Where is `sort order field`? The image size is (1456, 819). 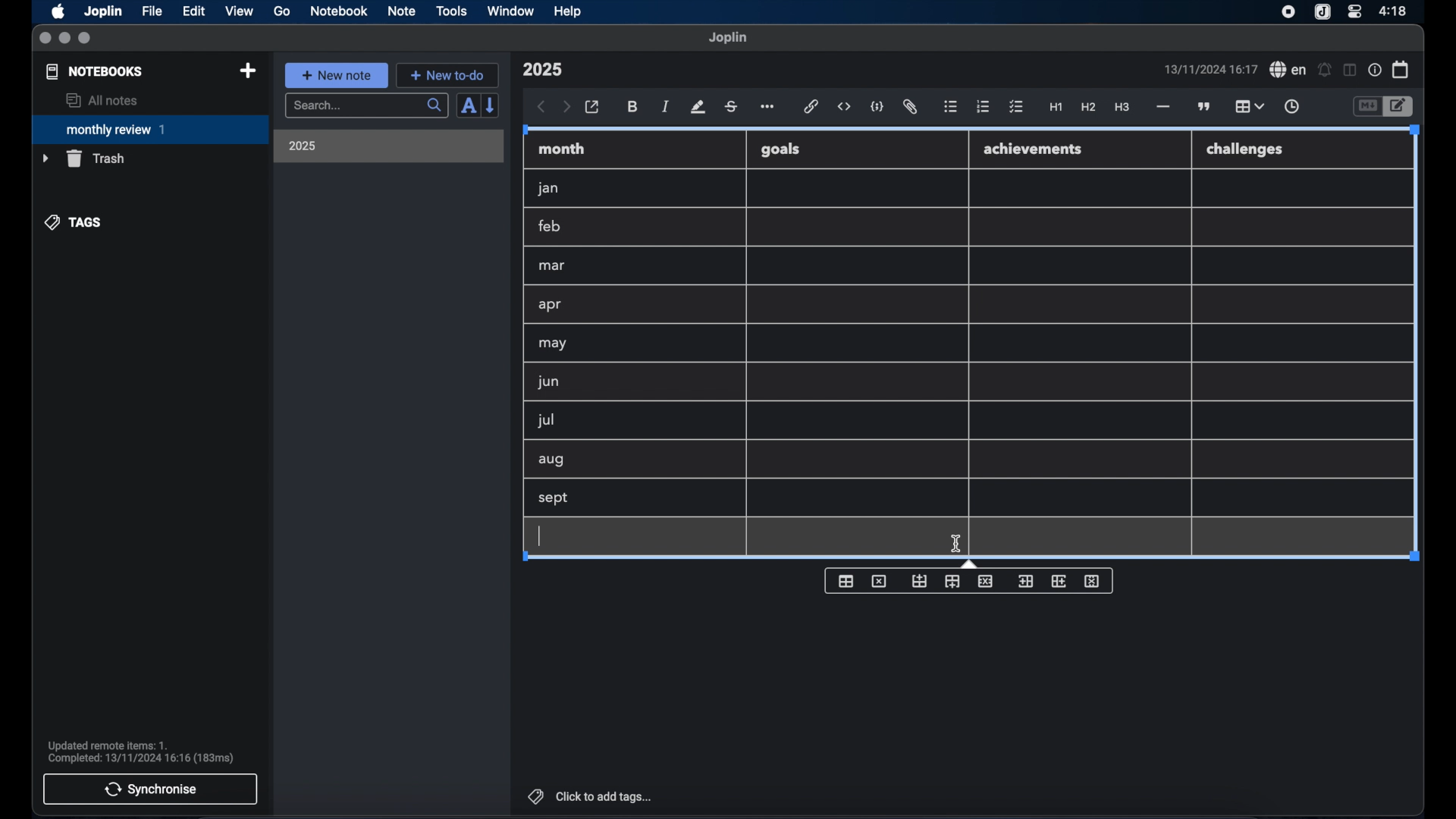
sort order field is located at coordinates (468, 106).